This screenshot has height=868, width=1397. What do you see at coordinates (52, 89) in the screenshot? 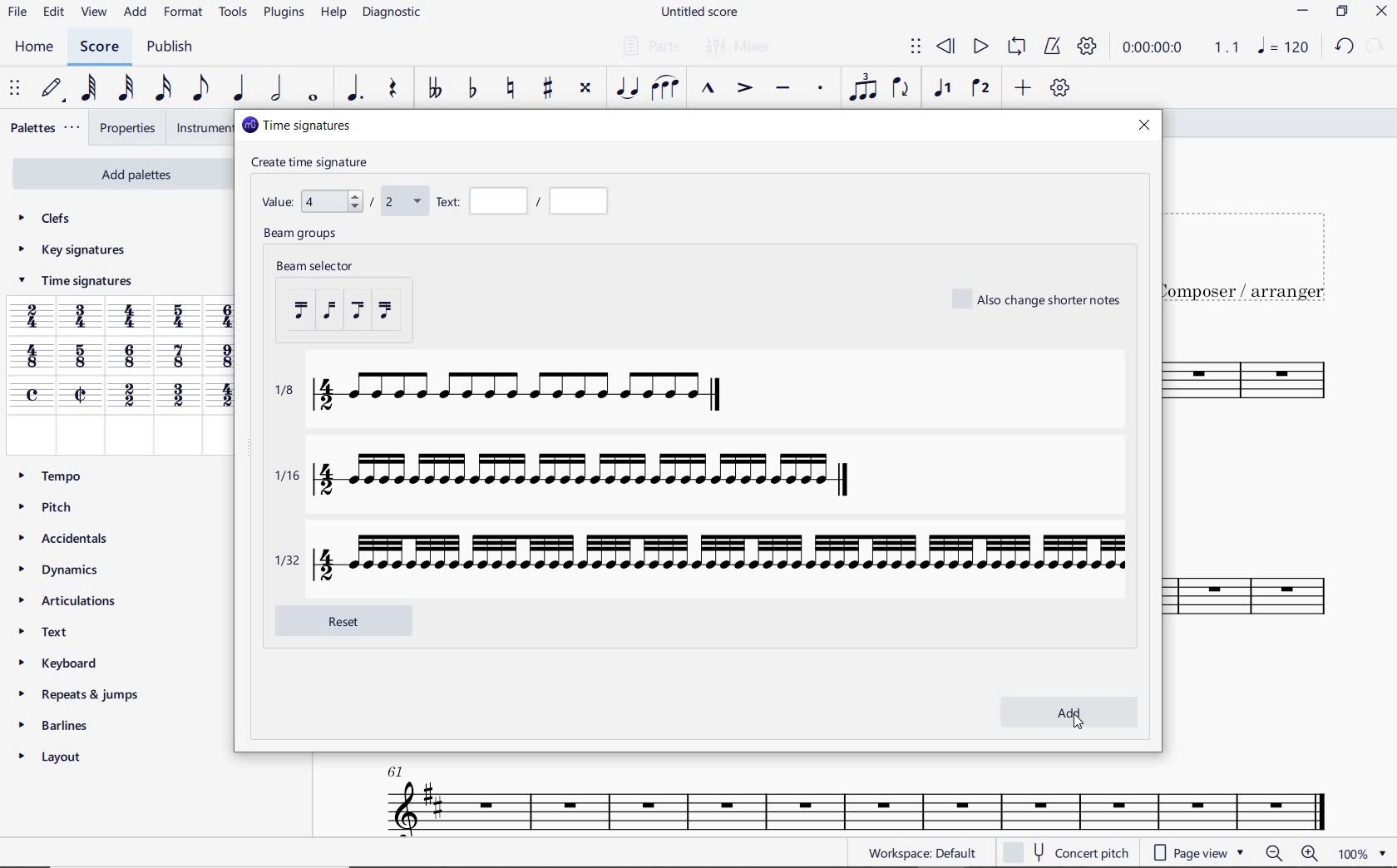
I see `DEFAULT (STEP TIME)` at bounding box center [52, 89].